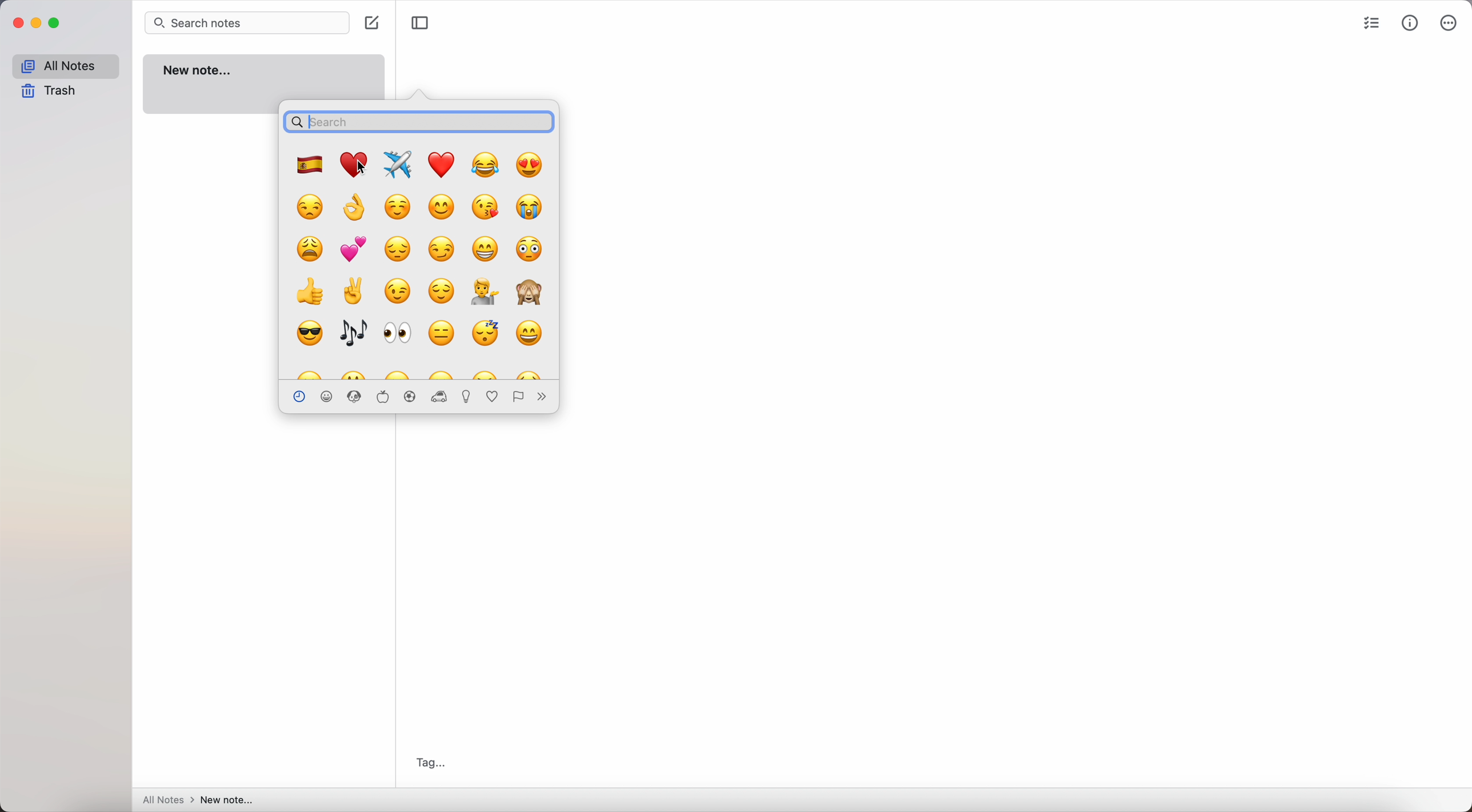 The image size is (1472, 812). What do you see at coordinates (200, 800) in the screenshot?
I see `all notes > new note...` at bounding box center [200, 800].